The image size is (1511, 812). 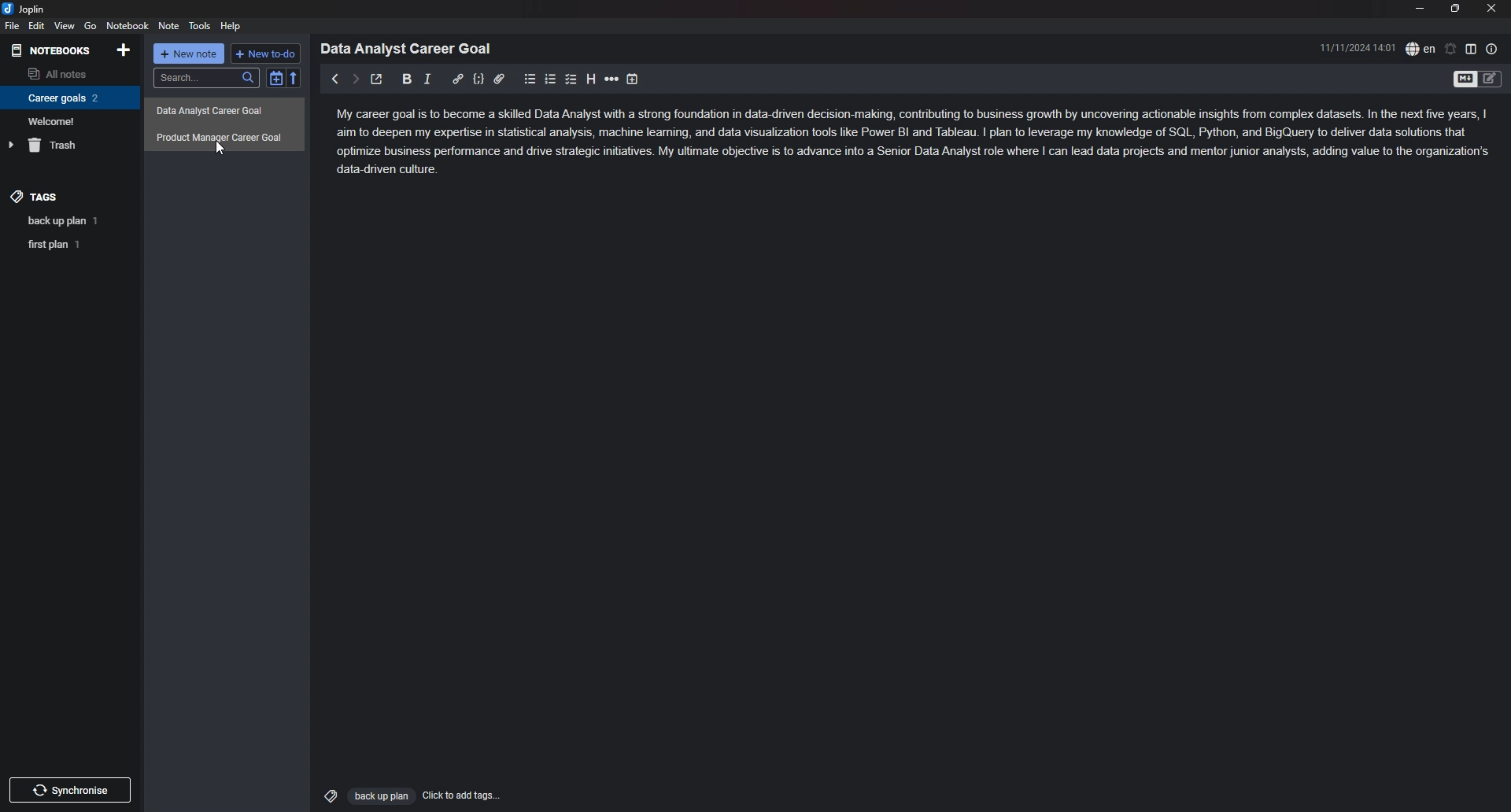 What do you see at coordinates (91, 26) in the screenshot?
I see `go` at bounding box center [91, 26].